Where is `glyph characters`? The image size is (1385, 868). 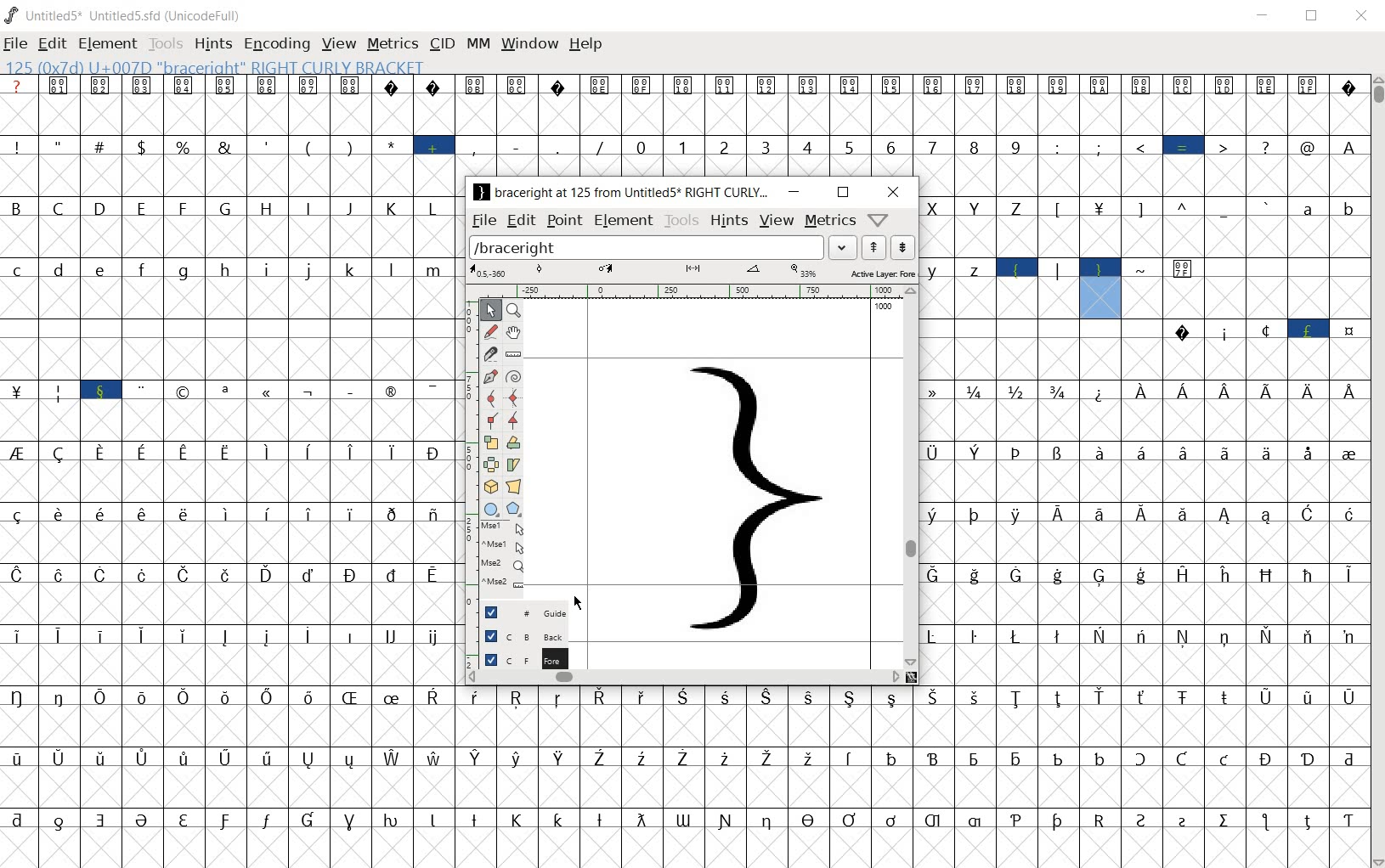 glyph characters is located at coordinates (910, 777).